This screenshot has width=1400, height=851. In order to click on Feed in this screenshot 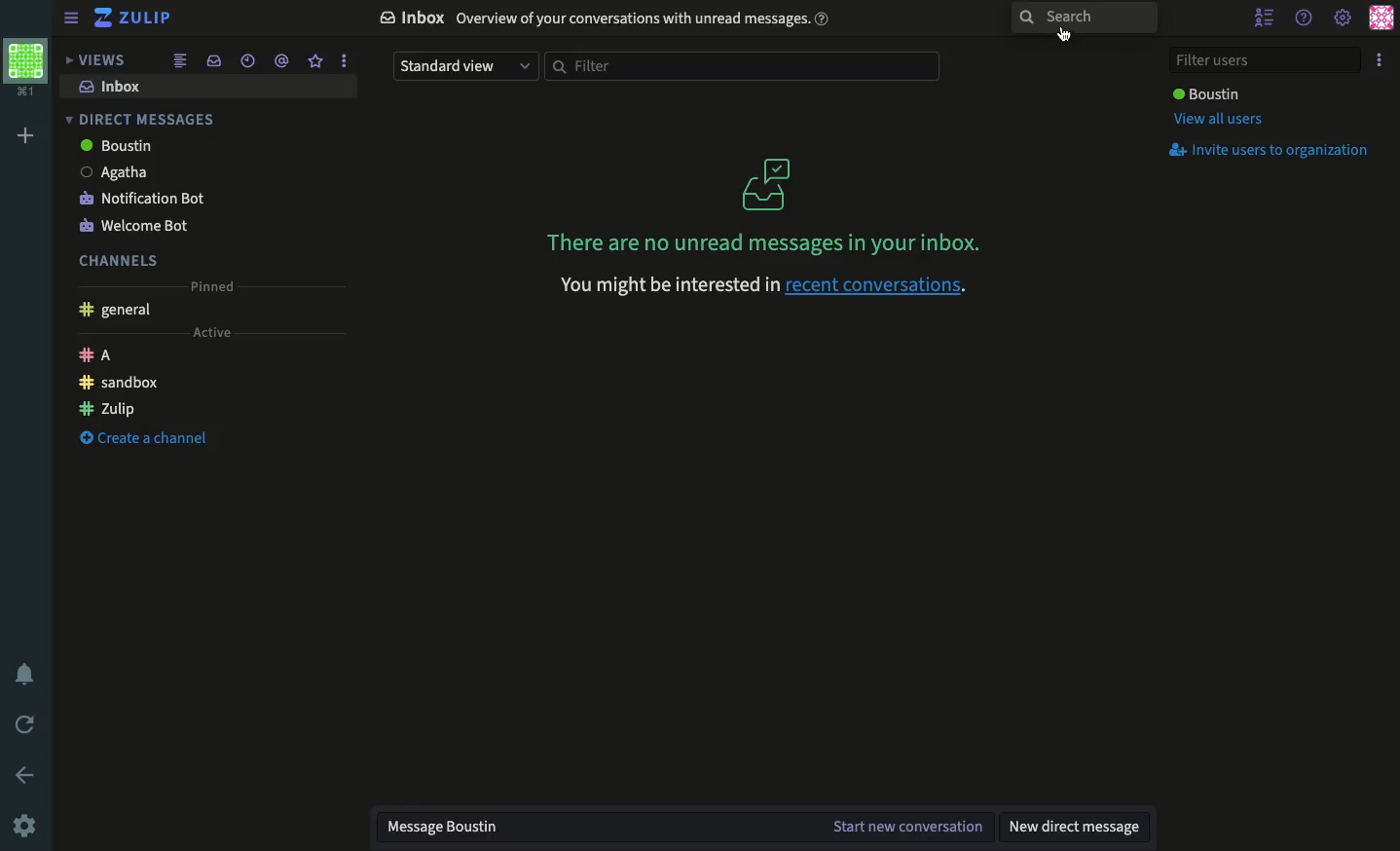, I will do `click(178, 62)`.